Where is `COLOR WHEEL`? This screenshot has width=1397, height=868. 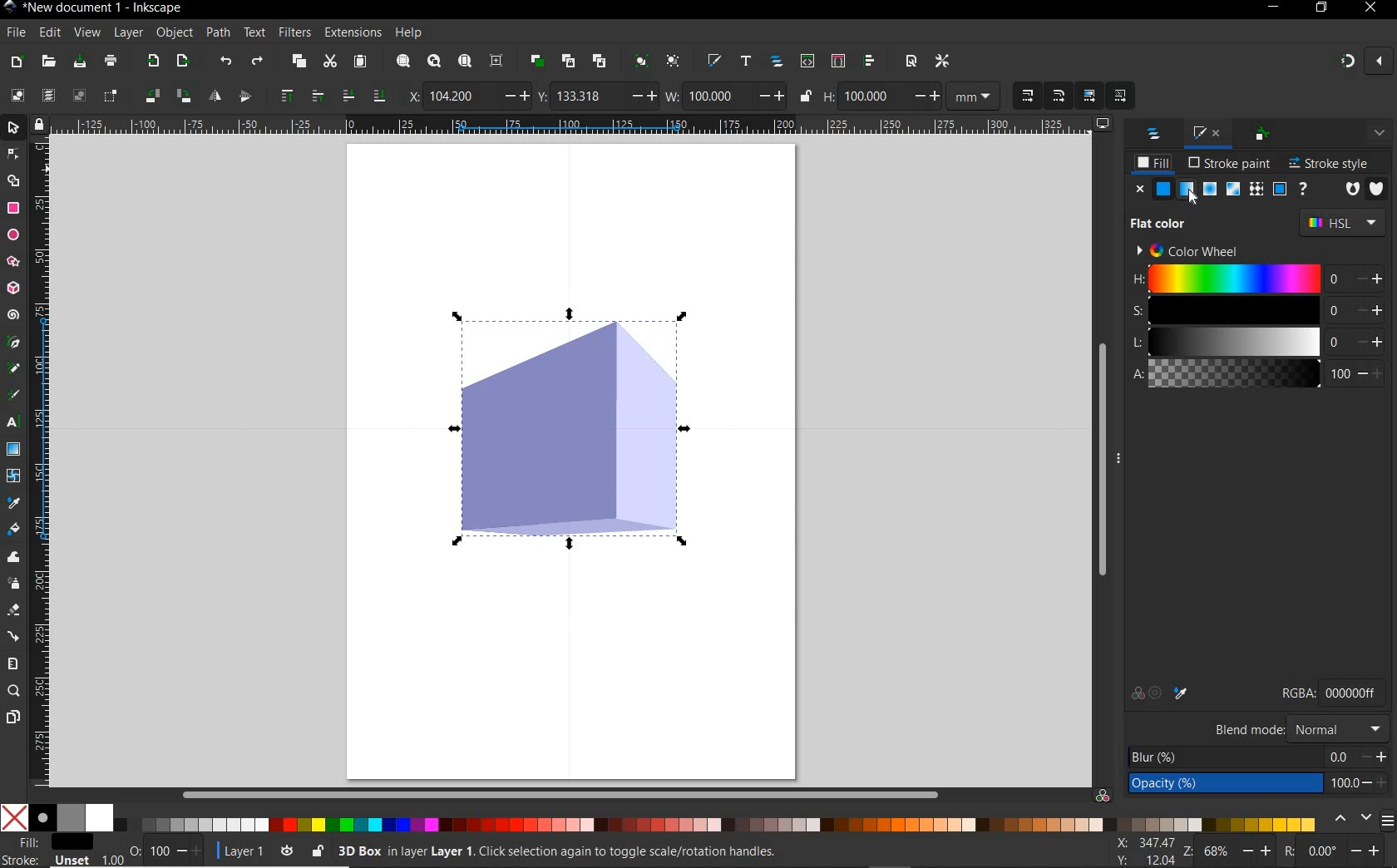 COLOR WHEEL is located at coordinates (1185, 250).